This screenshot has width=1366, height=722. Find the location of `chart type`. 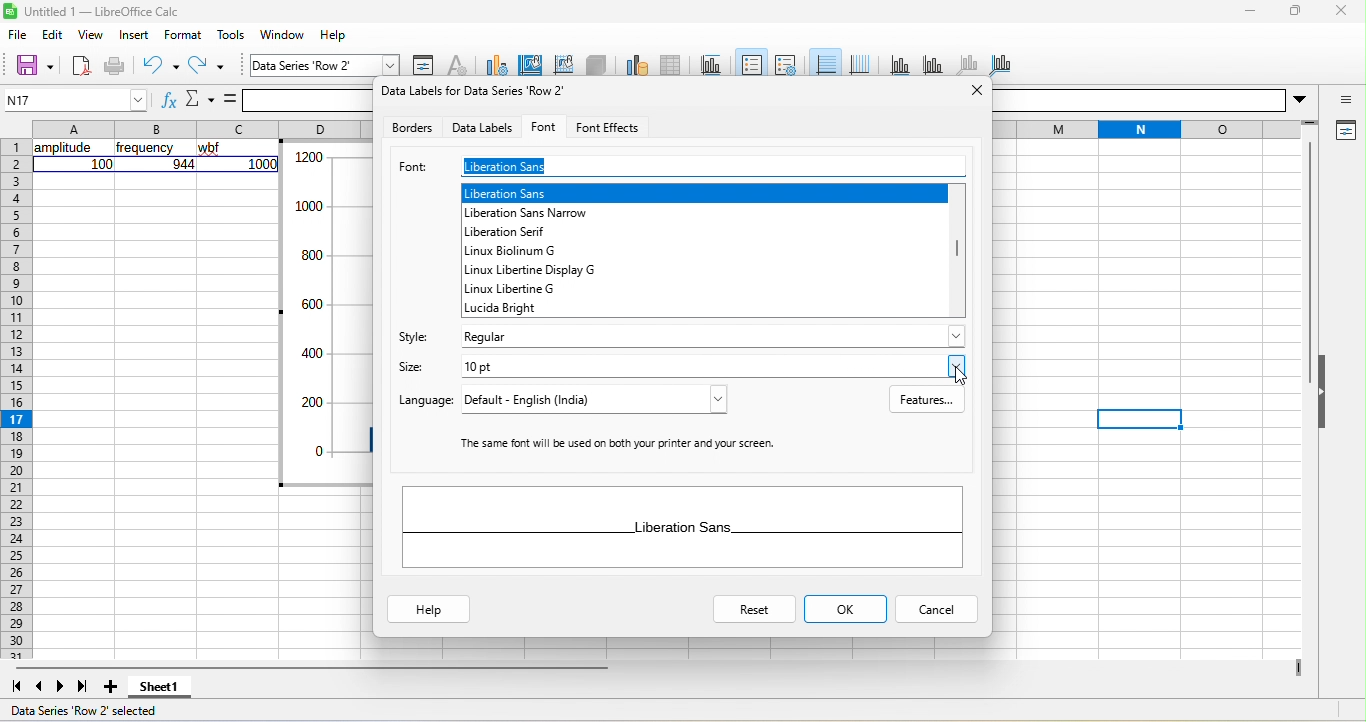

chart type is located at coordinates (494, 63).